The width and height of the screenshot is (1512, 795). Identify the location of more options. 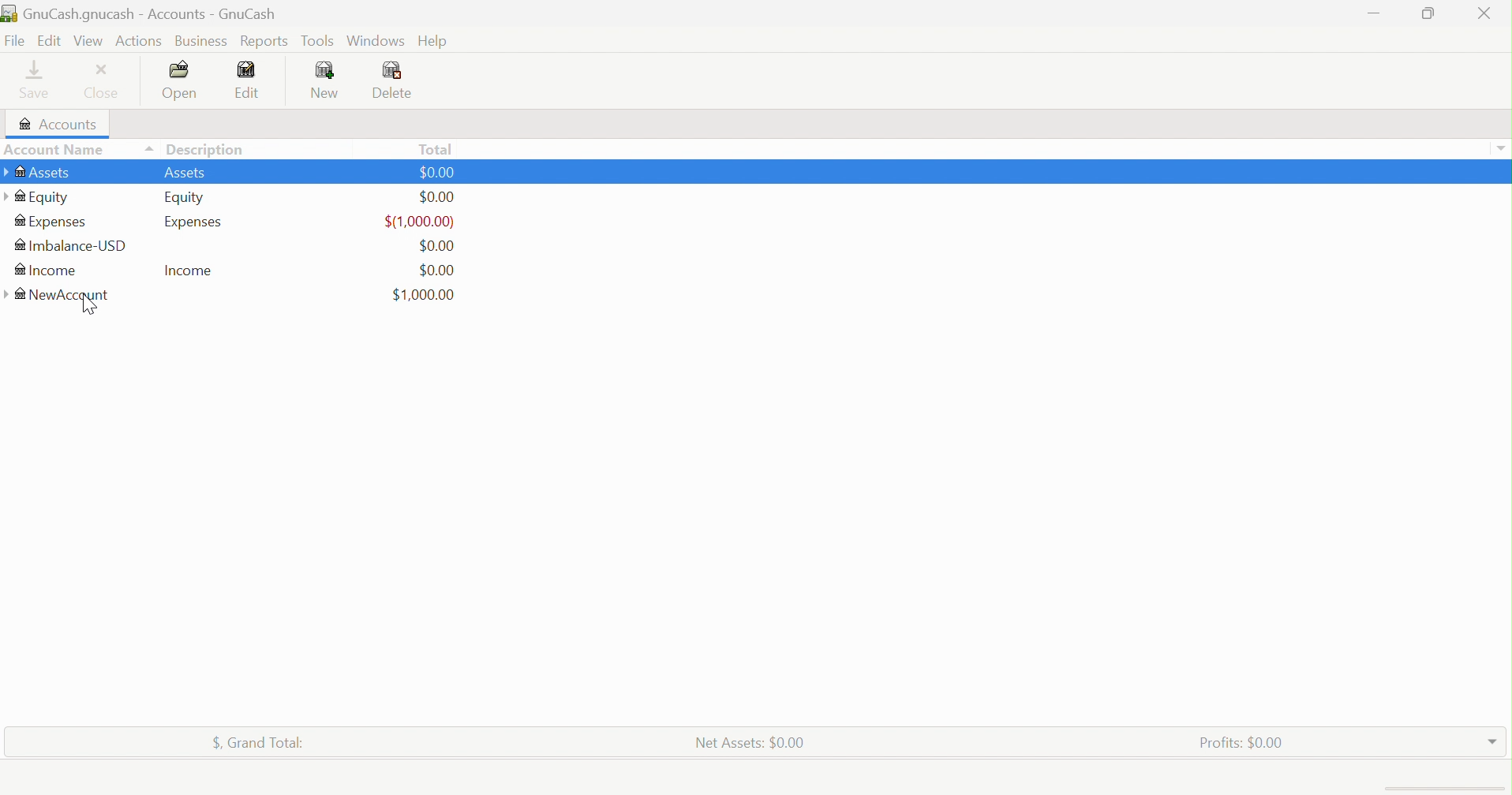
(1500, 147).